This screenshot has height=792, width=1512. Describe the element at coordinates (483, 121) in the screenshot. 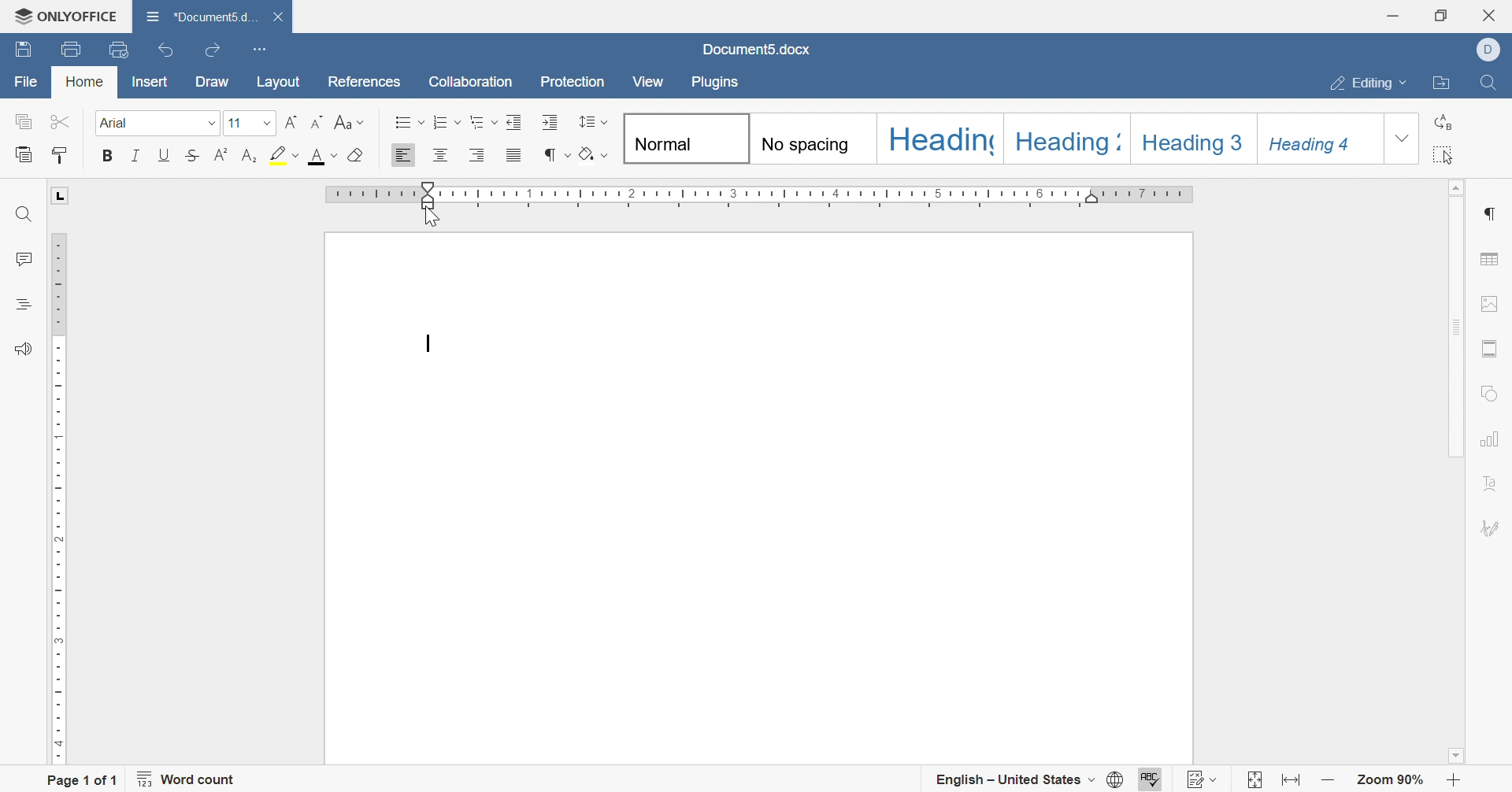

I see `multilevel list` at that location.